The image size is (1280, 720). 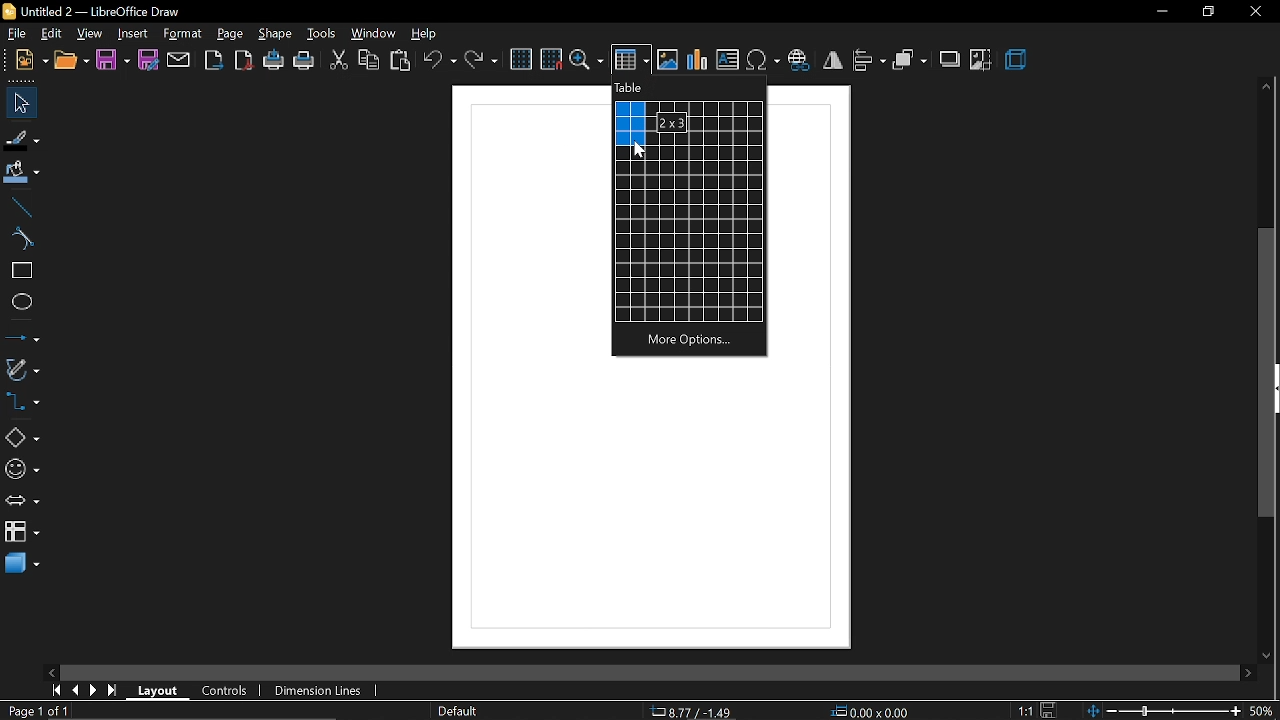 I want to click on window, so click(x=375, y=36).